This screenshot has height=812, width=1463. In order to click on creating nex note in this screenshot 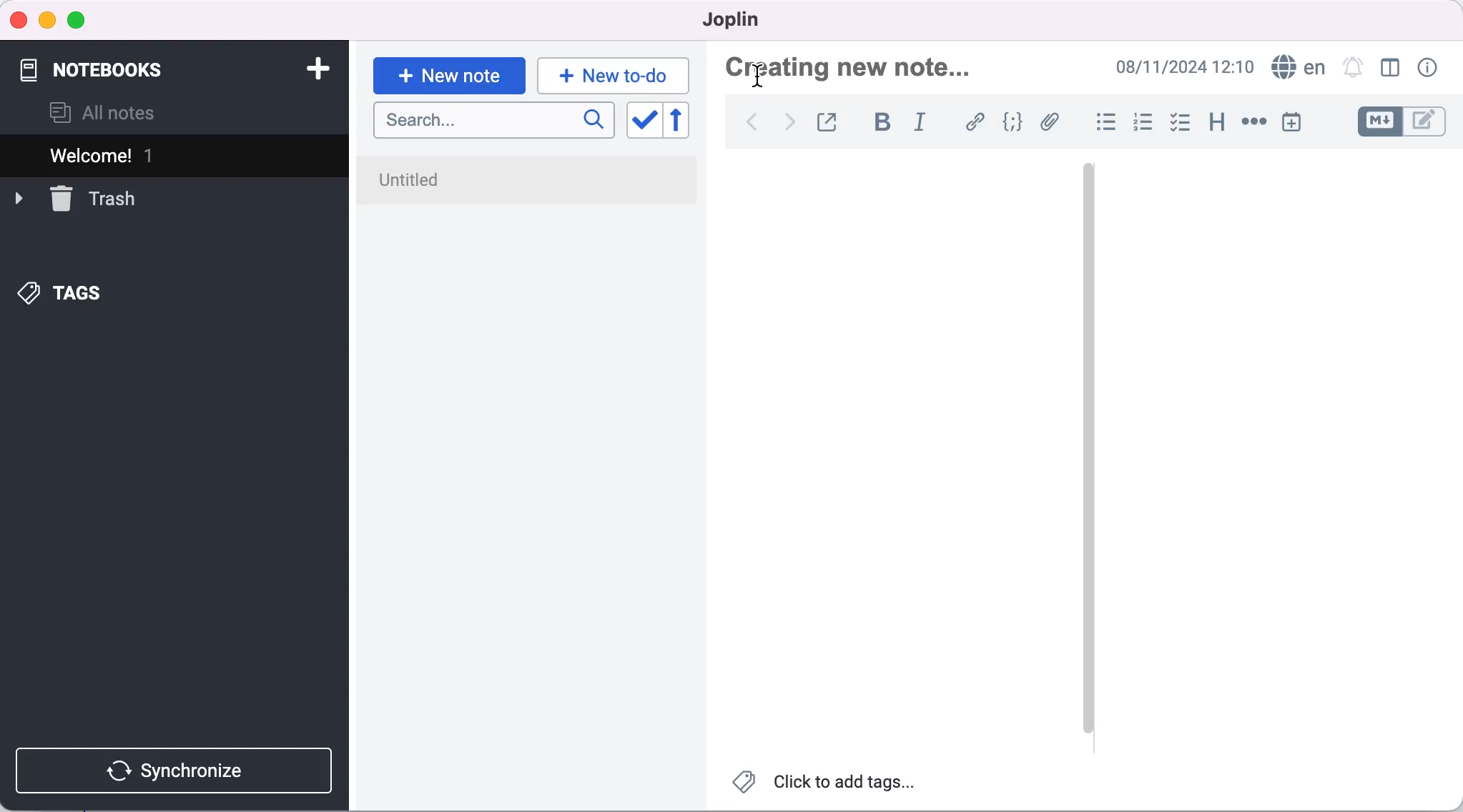, I will do `click(859, 69)`.